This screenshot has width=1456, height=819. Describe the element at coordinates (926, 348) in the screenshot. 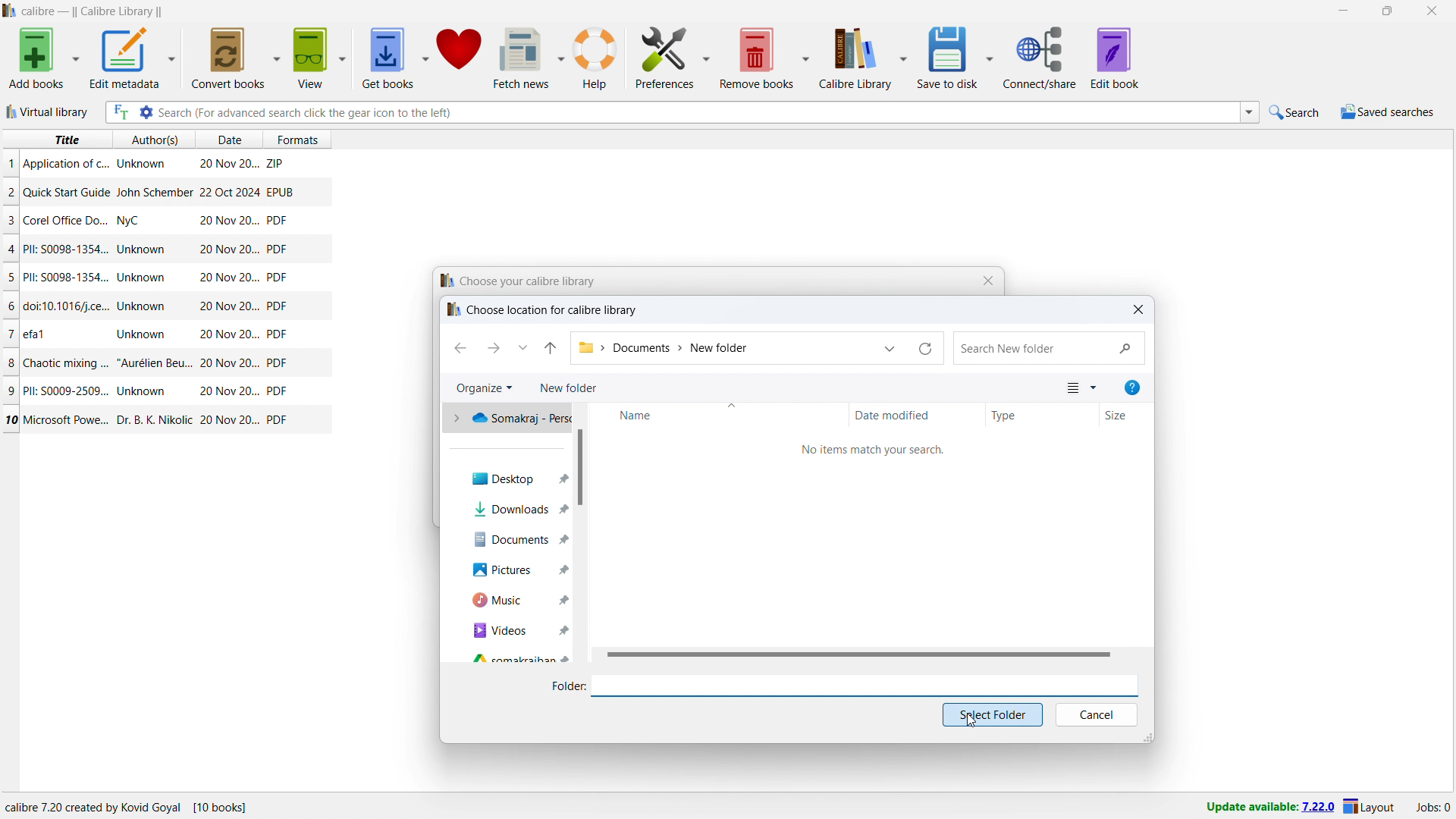

I see `refresh` at that location.